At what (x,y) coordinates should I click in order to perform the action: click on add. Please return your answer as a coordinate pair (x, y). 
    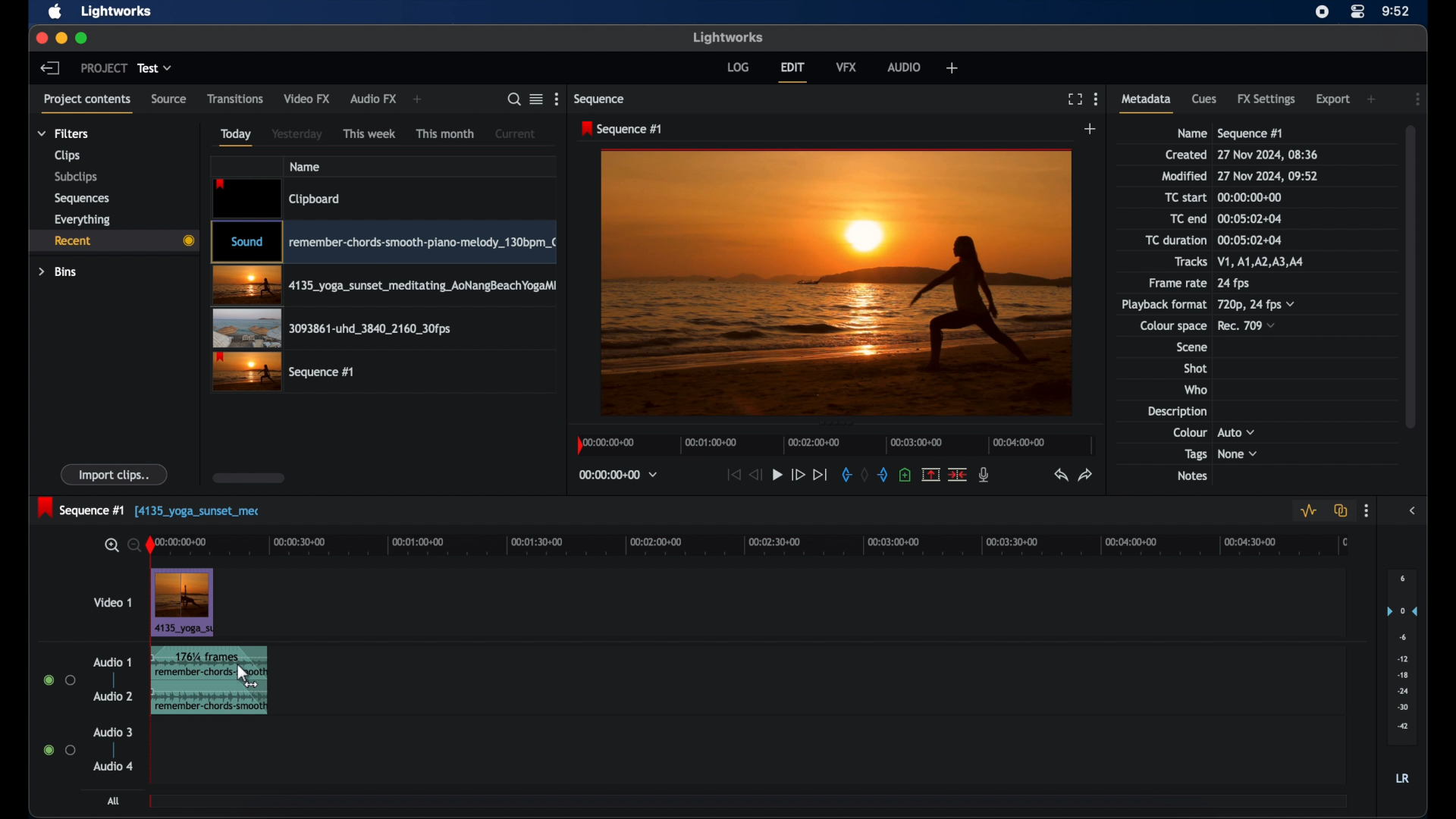
    Looking at the image, I should click on (952, 68).